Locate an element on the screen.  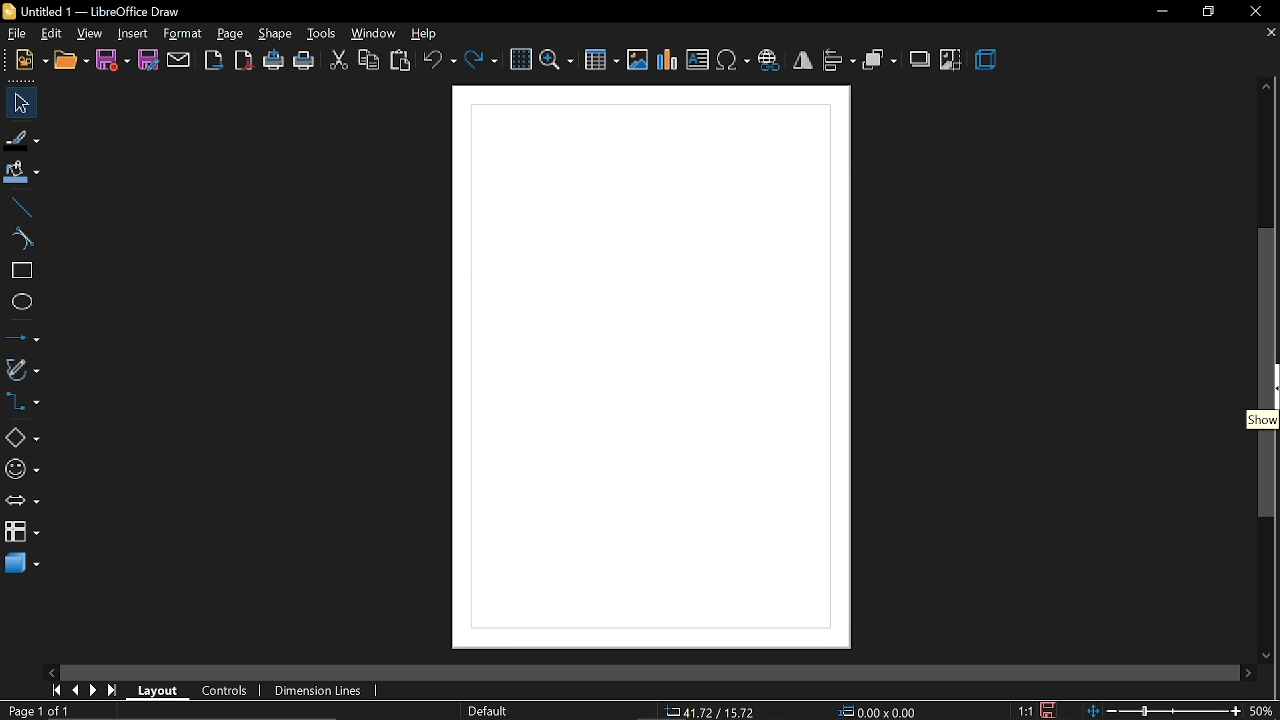
export is located at coordinates (212, 62).